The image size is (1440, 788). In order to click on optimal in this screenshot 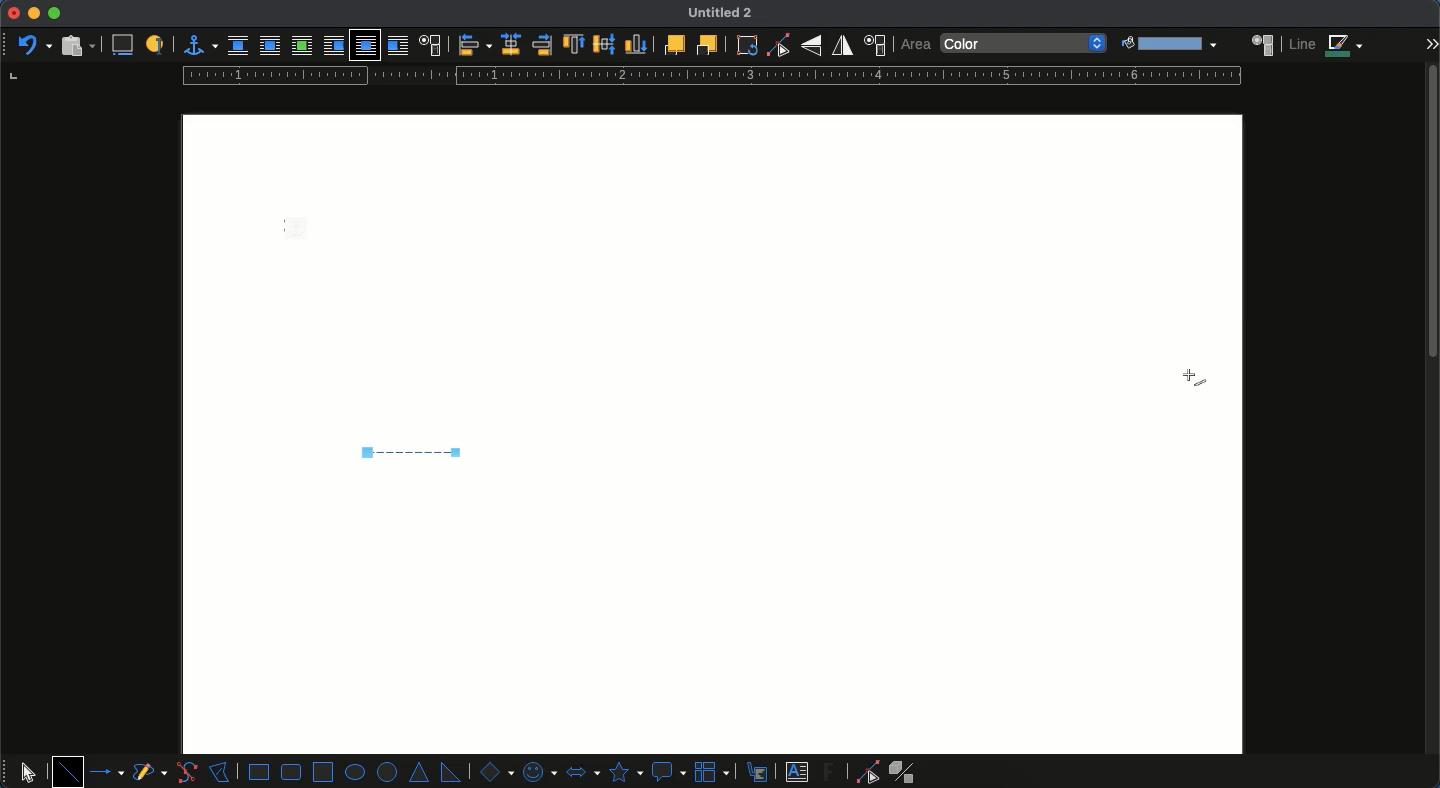, I will do `click(301, 45)`.